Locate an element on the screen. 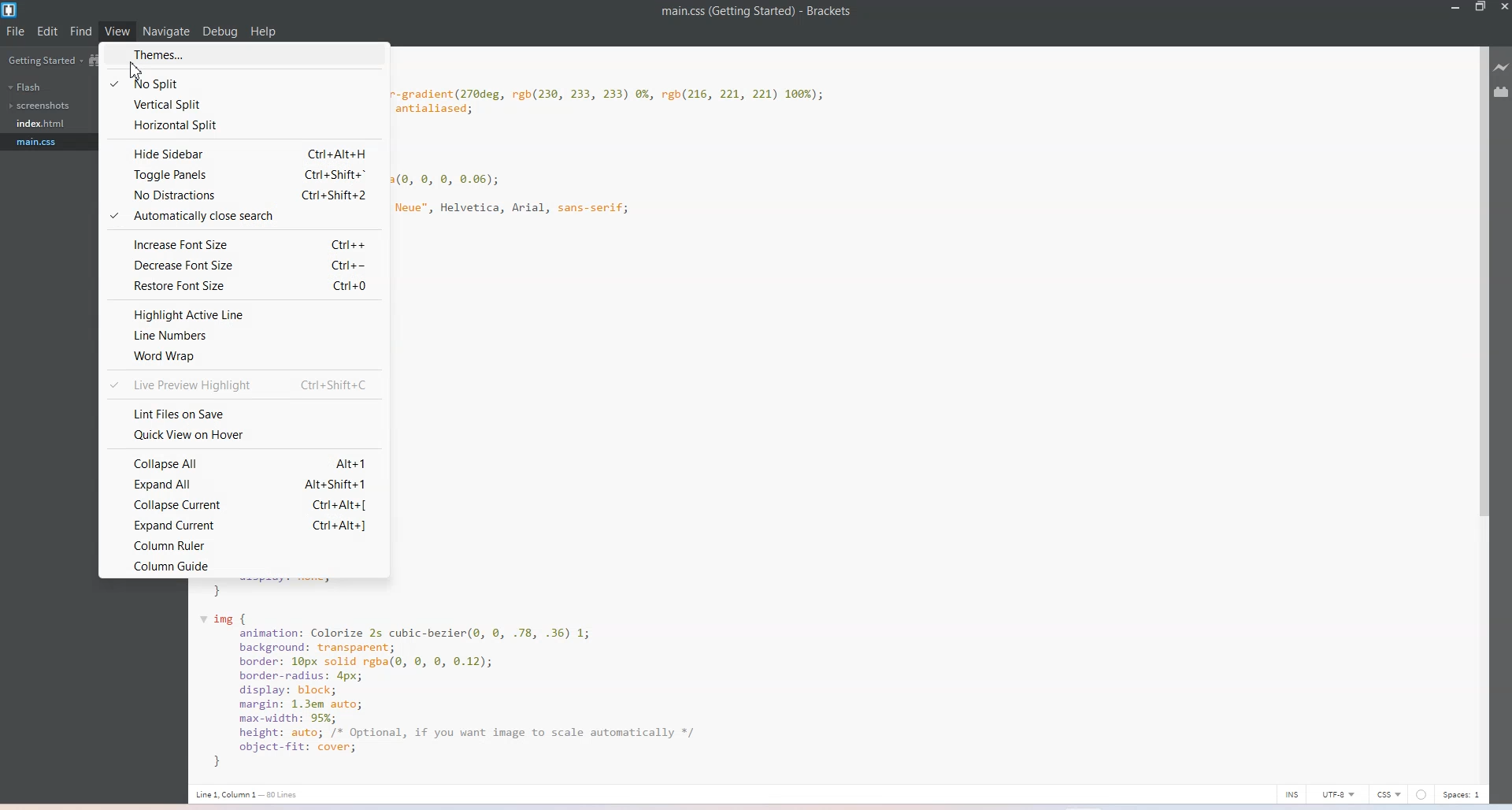  Extension Manager is located at coordinates (1503, 91).